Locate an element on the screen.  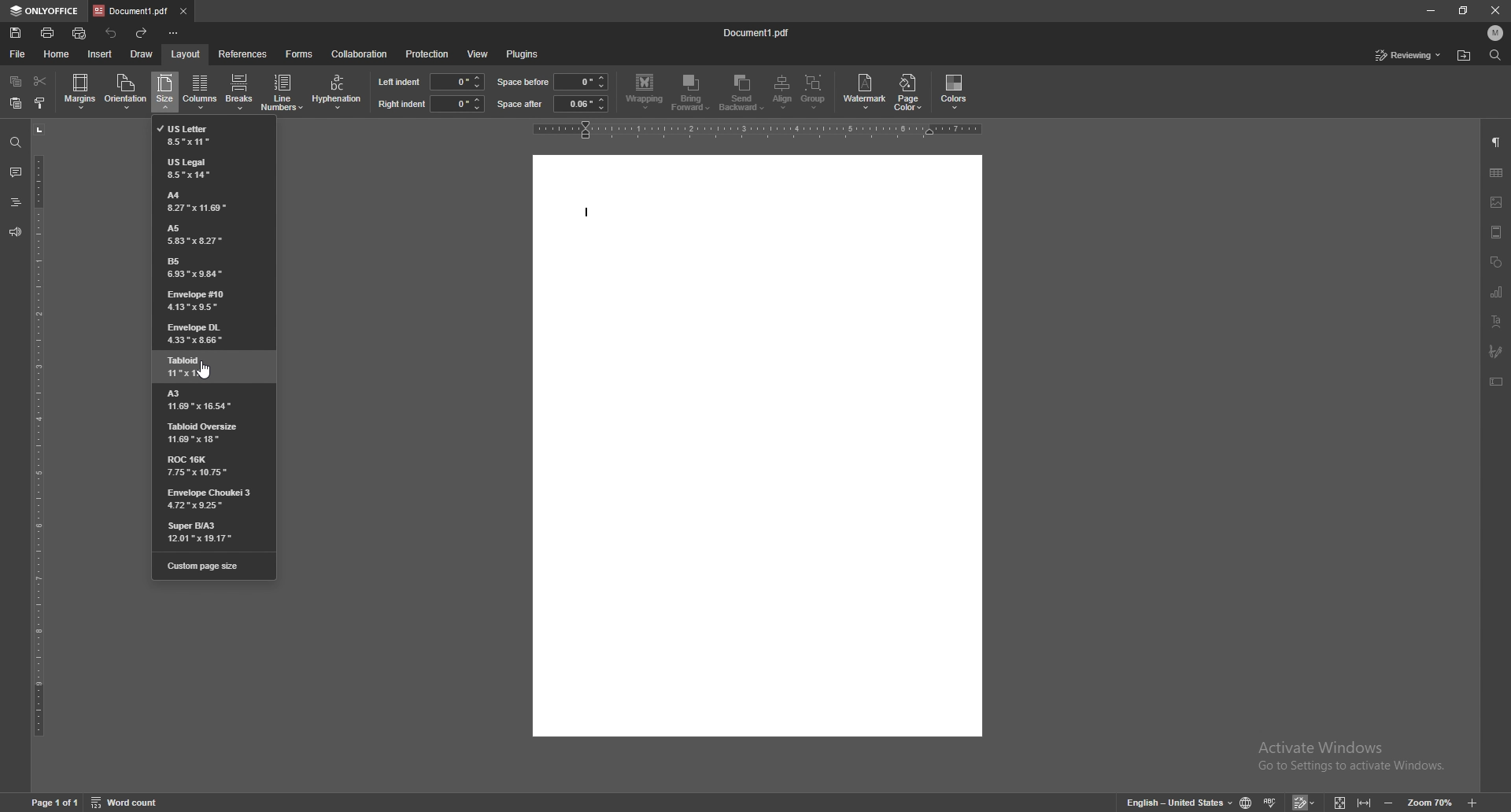
layout is located at coordinates (185, 54).